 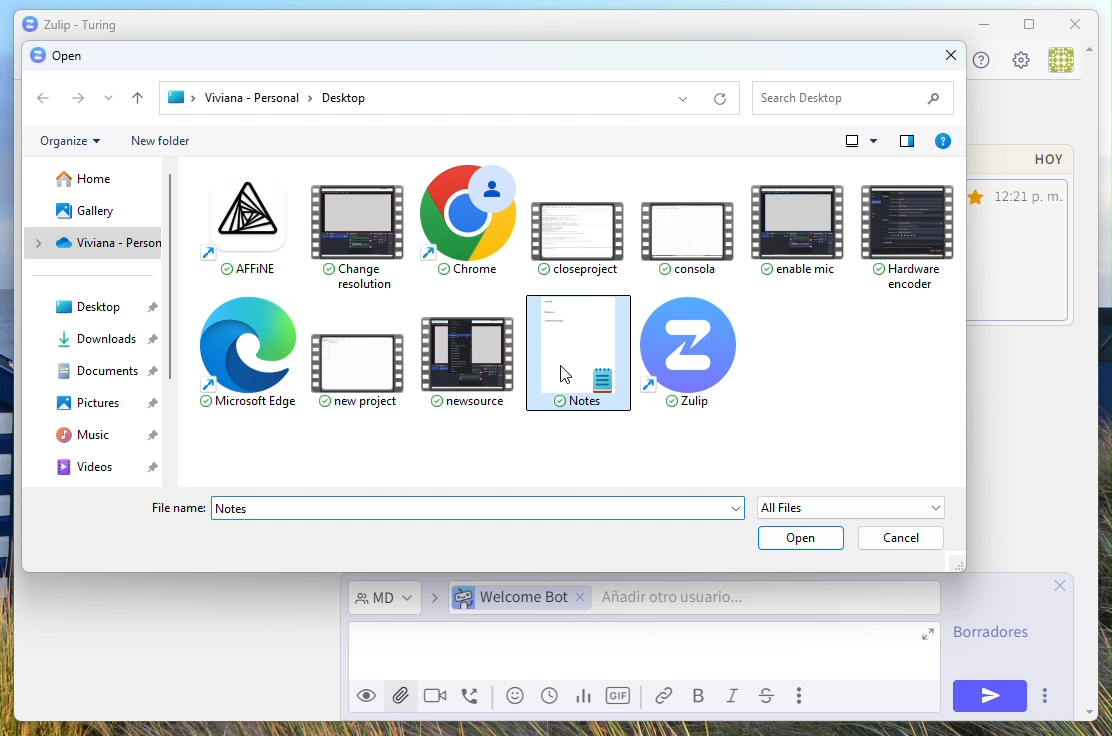 What do you see at coordinates (1065, 585) in the screenshot?
I see `close` at bounding box center [1065, 585].